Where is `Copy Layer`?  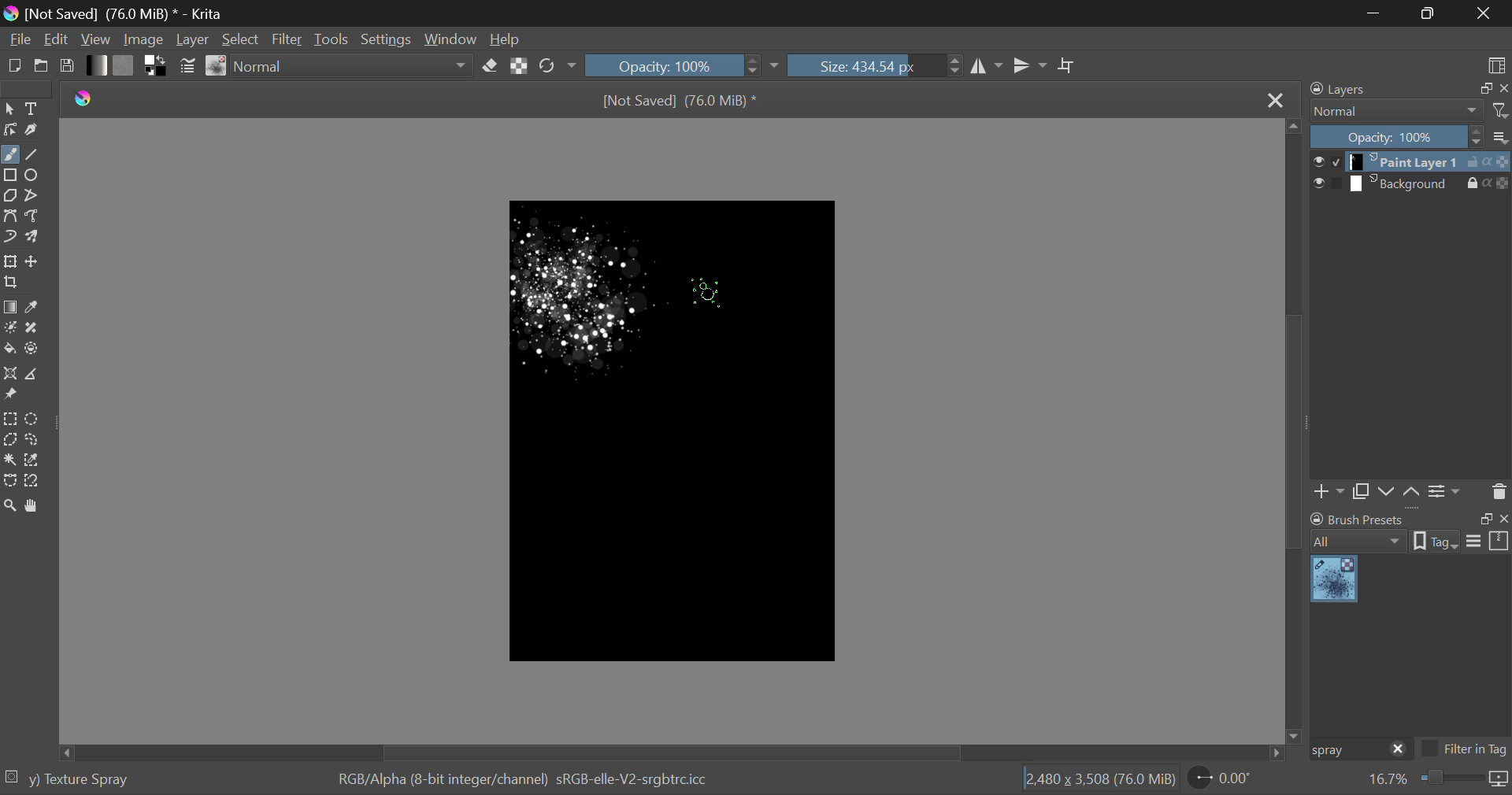 Copy Layer is located at coordinates (1361, 494).